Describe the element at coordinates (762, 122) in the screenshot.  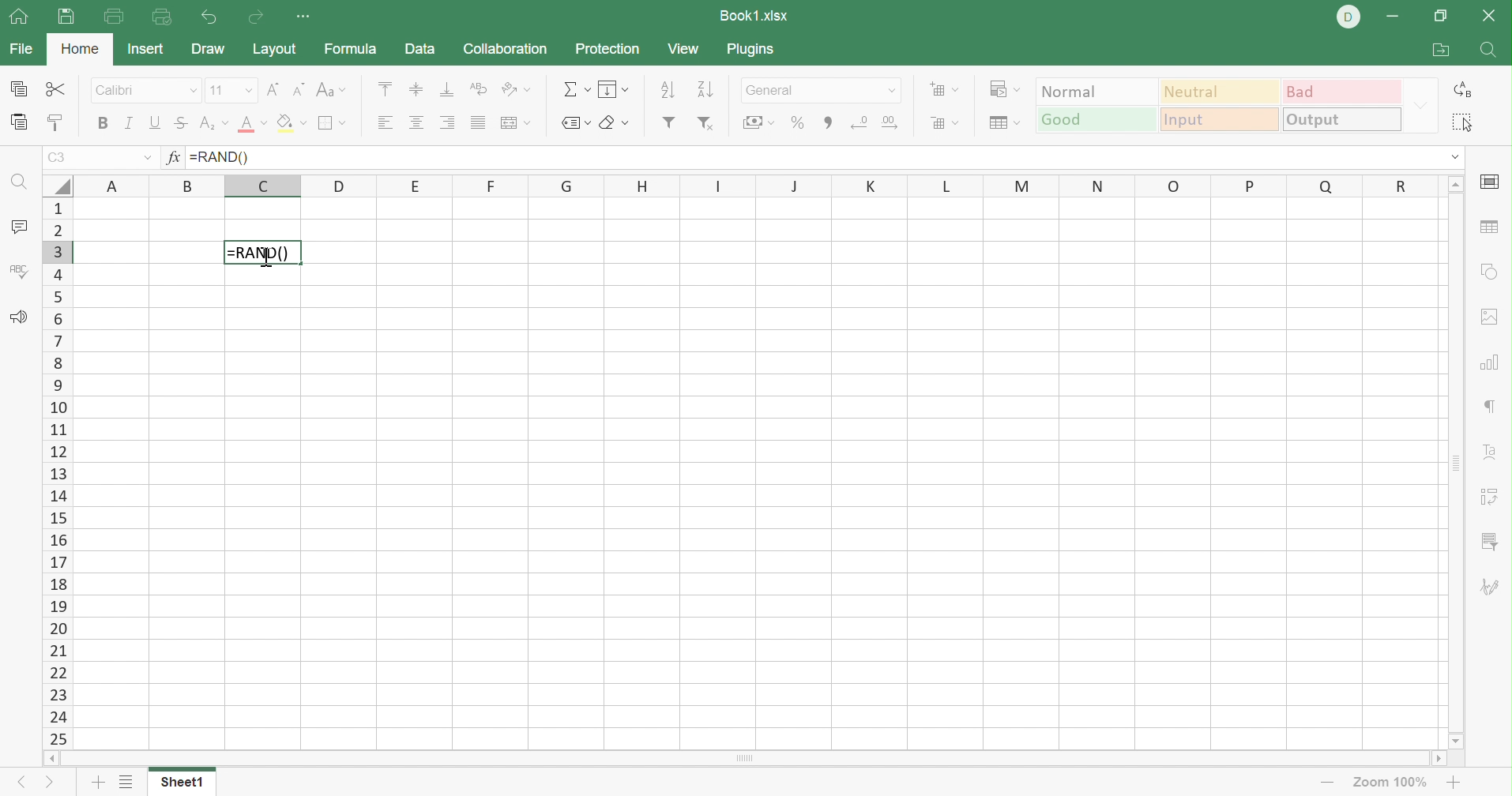
I see `Accunting style` at that location.